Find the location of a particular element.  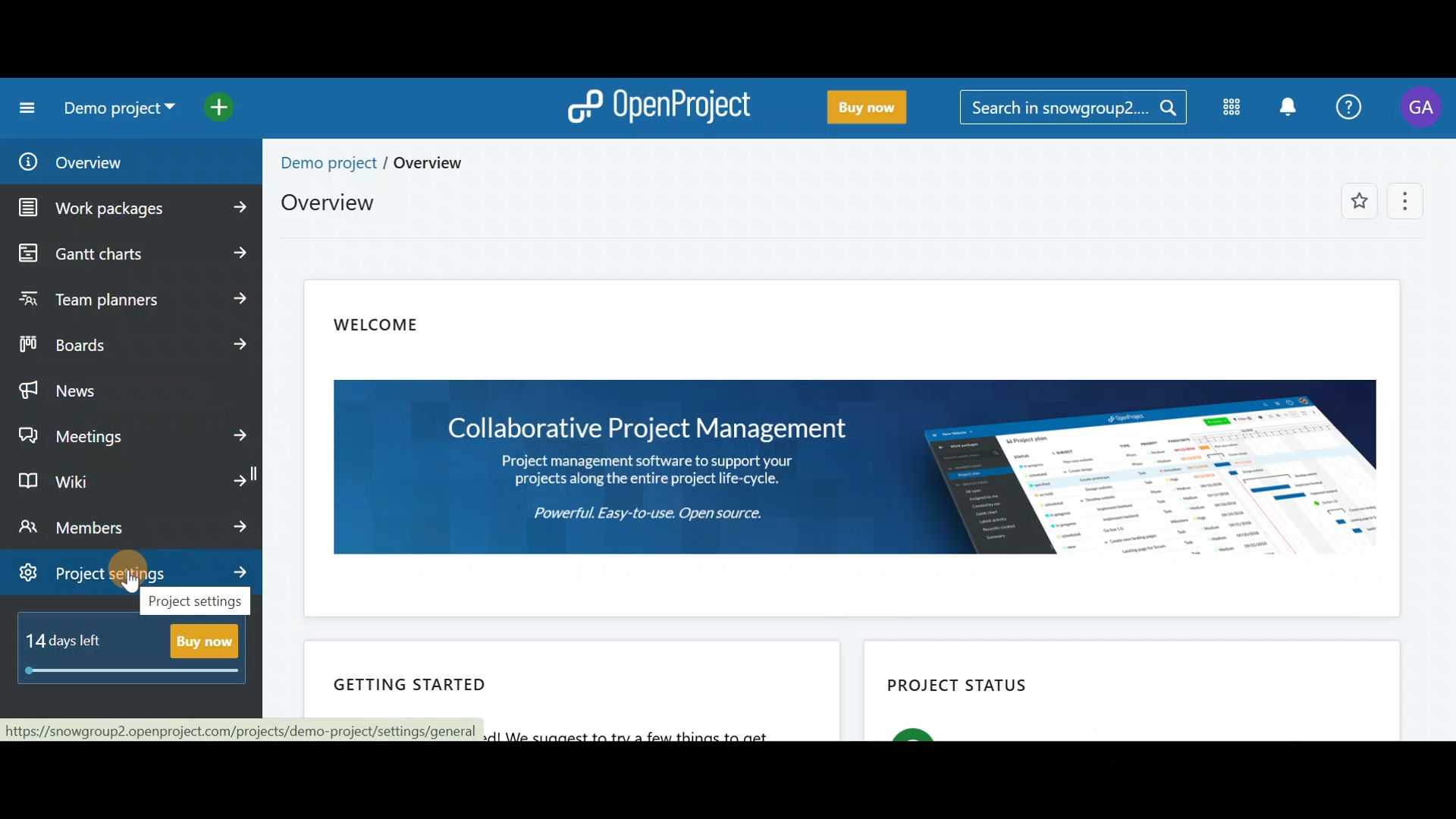

Project status is located at coordinates (1134, 691).